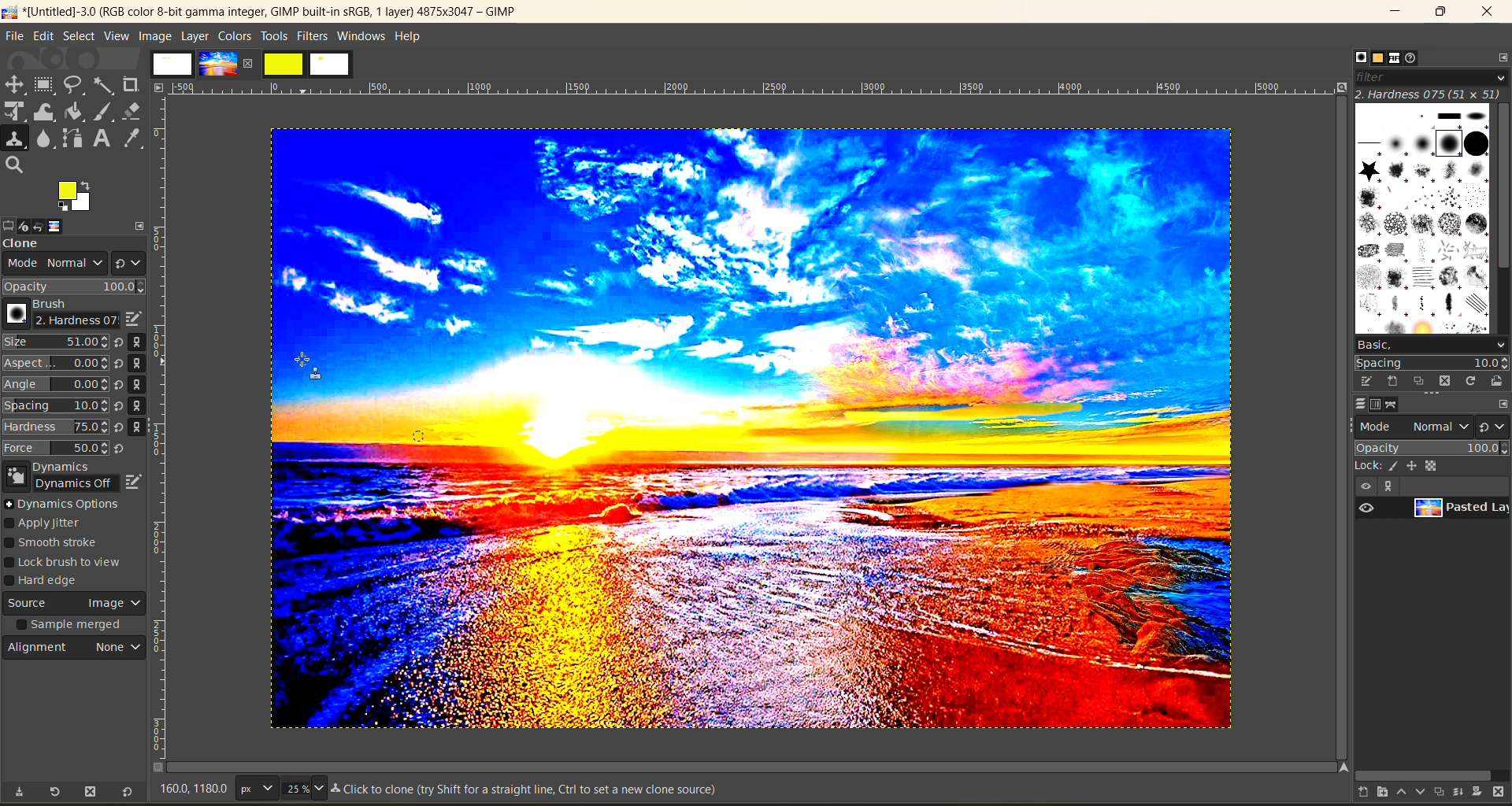 The width and height of the screenshot is (1512, 806). I want to click on erase, so click(132, 111).